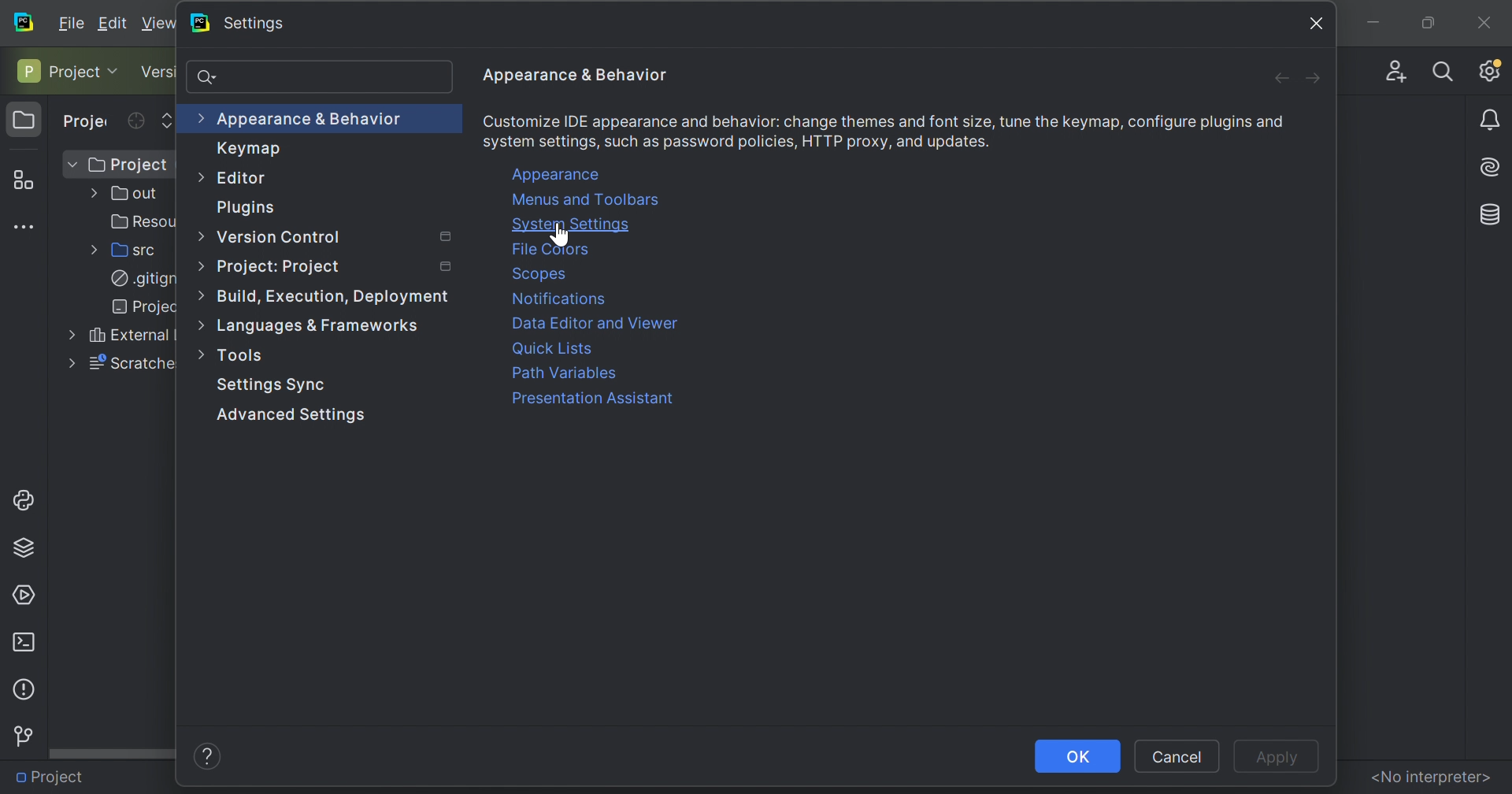 This screenshot has width=1512, height=794. Describe the element at coordinates (573, 224) in the screenshot. I see `System settings` at that location.